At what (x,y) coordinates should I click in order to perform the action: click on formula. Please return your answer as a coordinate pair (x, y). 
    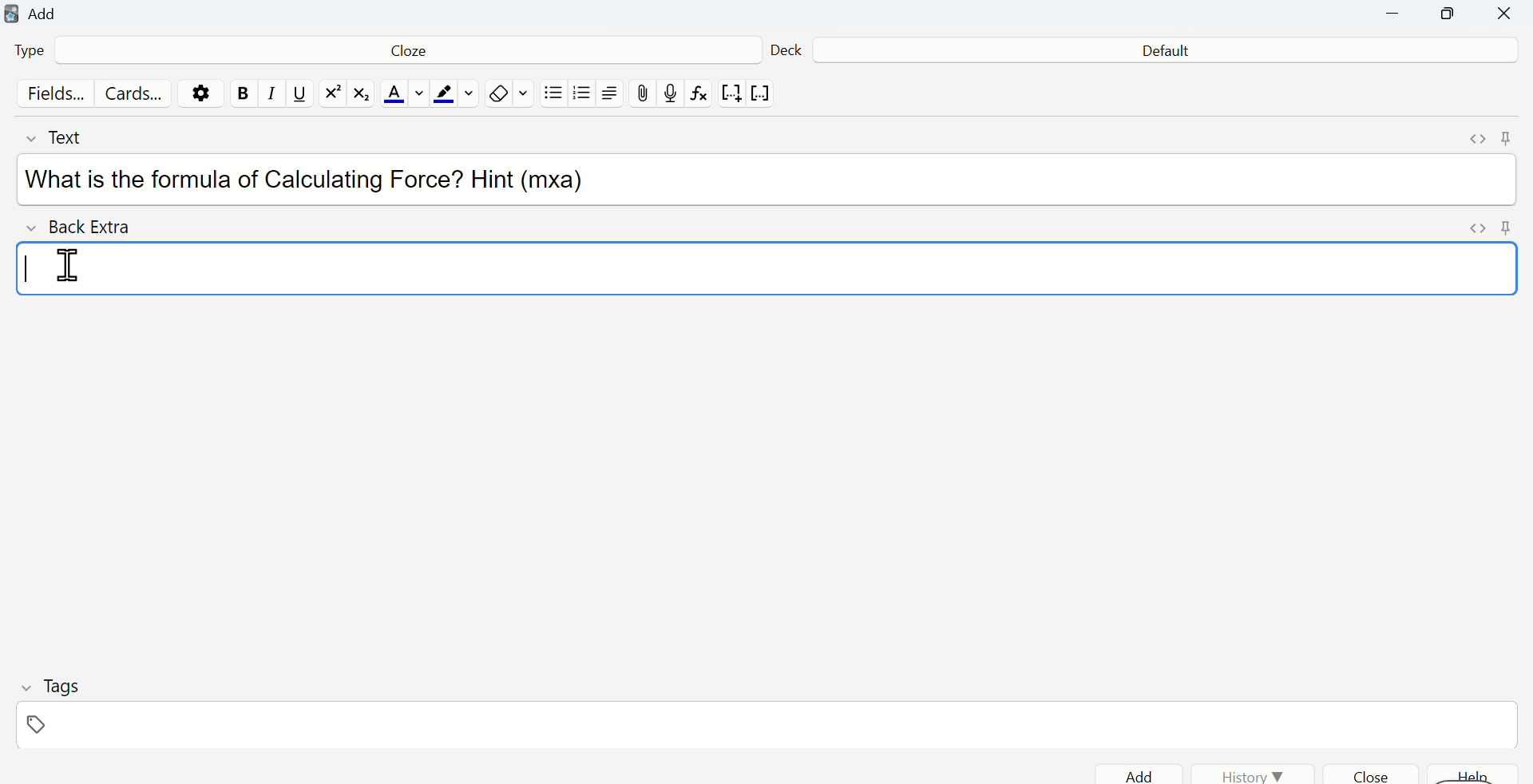
    Looking at the image, I should click on (701, 97).